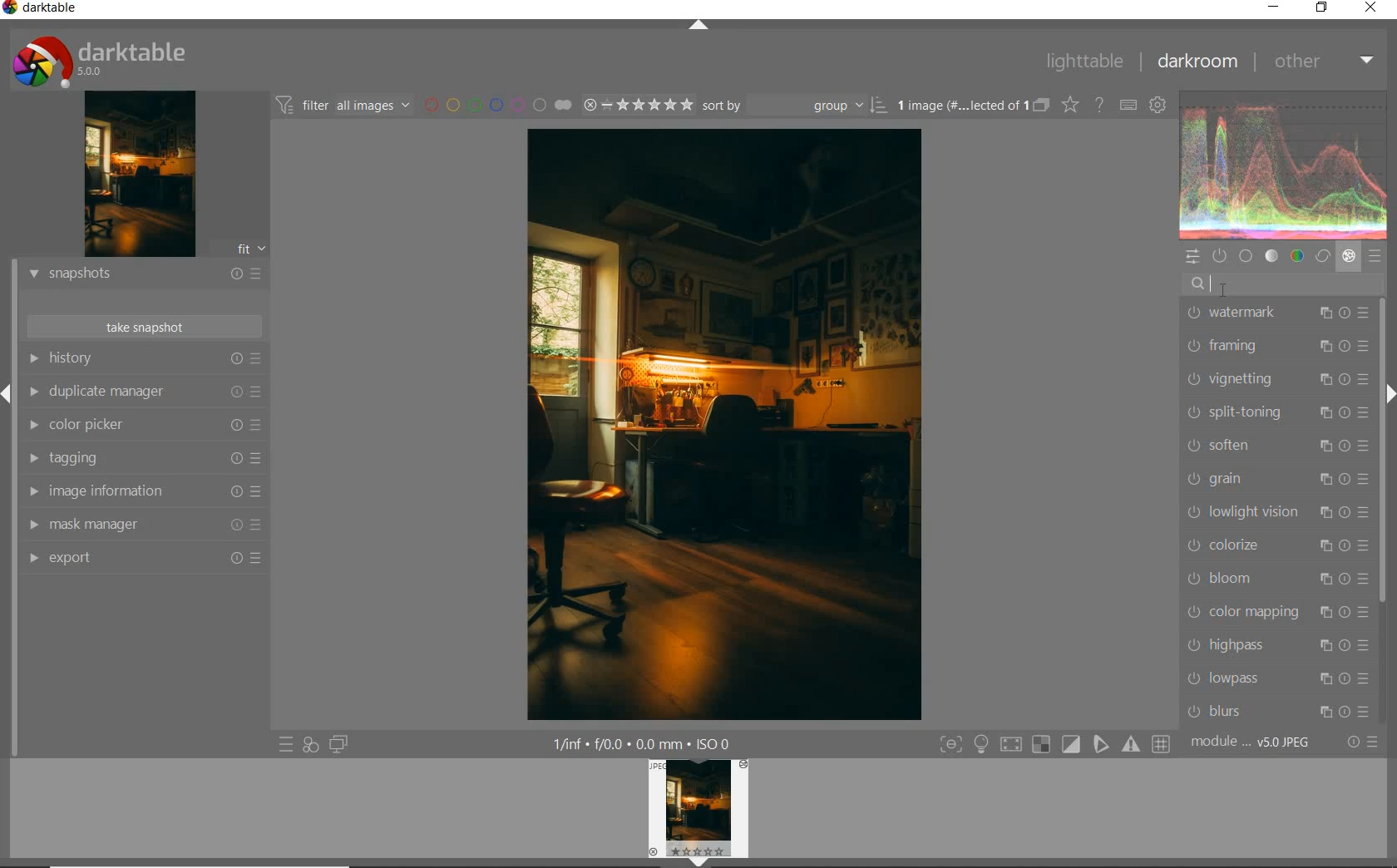 Image resolution: width=1397 pixels, height=868 pixels. I want to click on selected image, so click(727, 424).